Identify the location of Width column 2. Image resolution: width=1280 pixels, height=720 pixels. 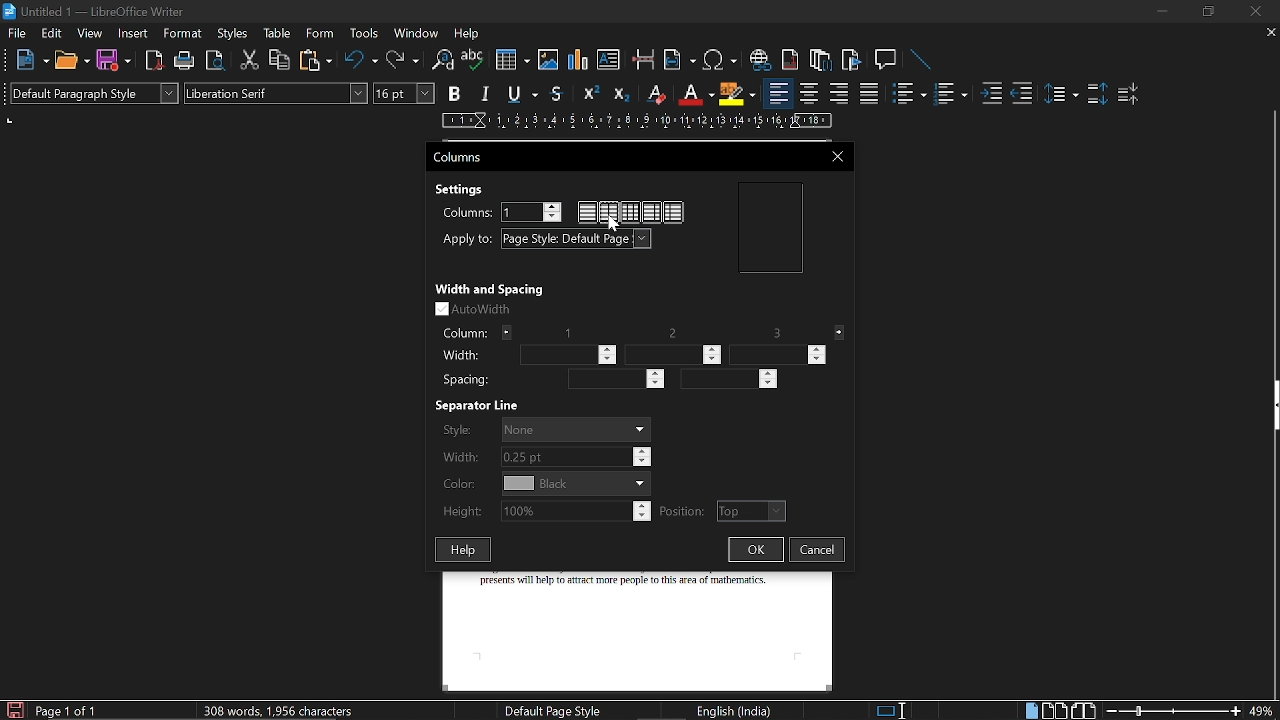
(675, 356).